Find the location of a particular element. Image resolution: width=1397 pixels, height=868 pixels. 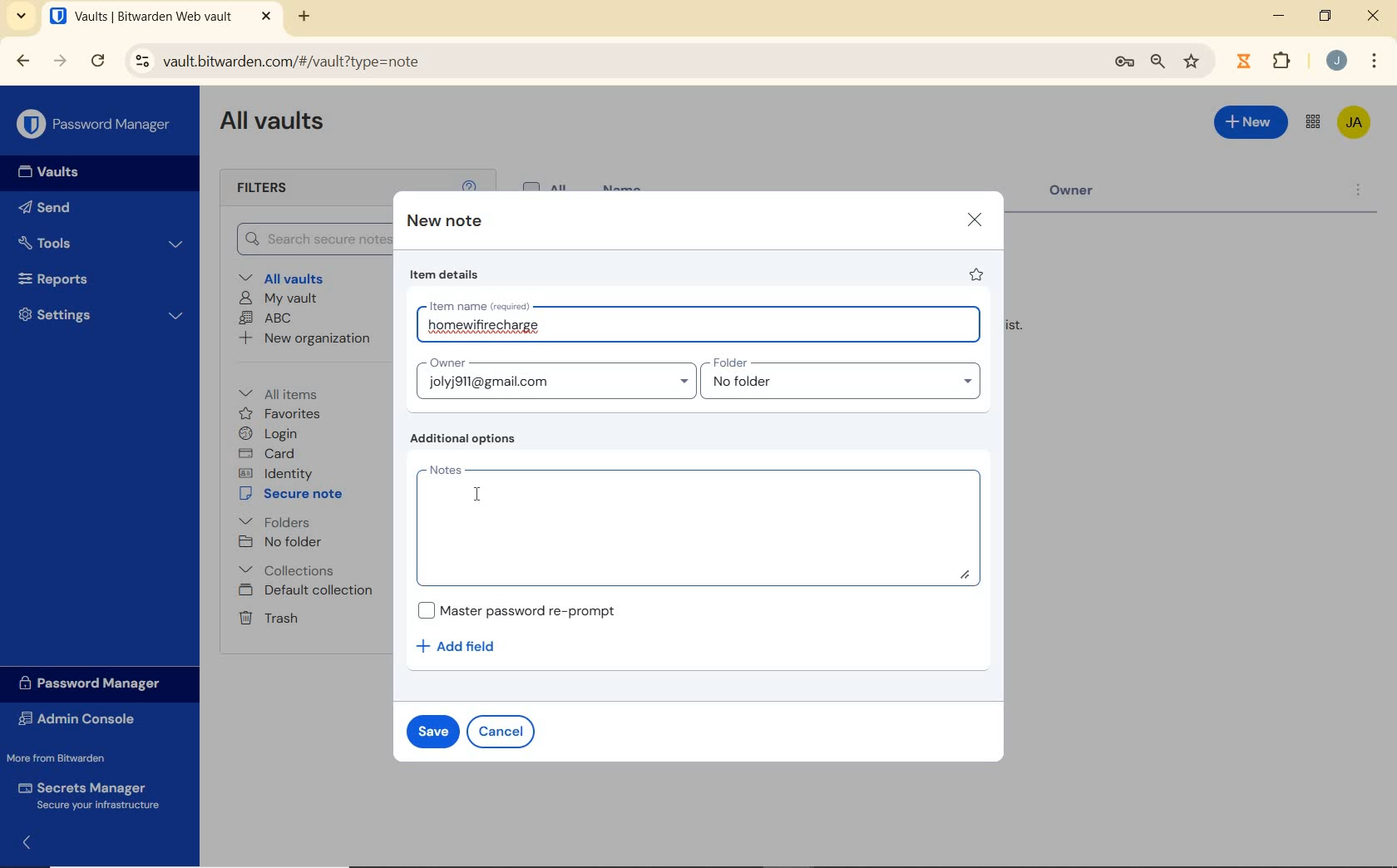

restore is located at coordinates (1325, 16).